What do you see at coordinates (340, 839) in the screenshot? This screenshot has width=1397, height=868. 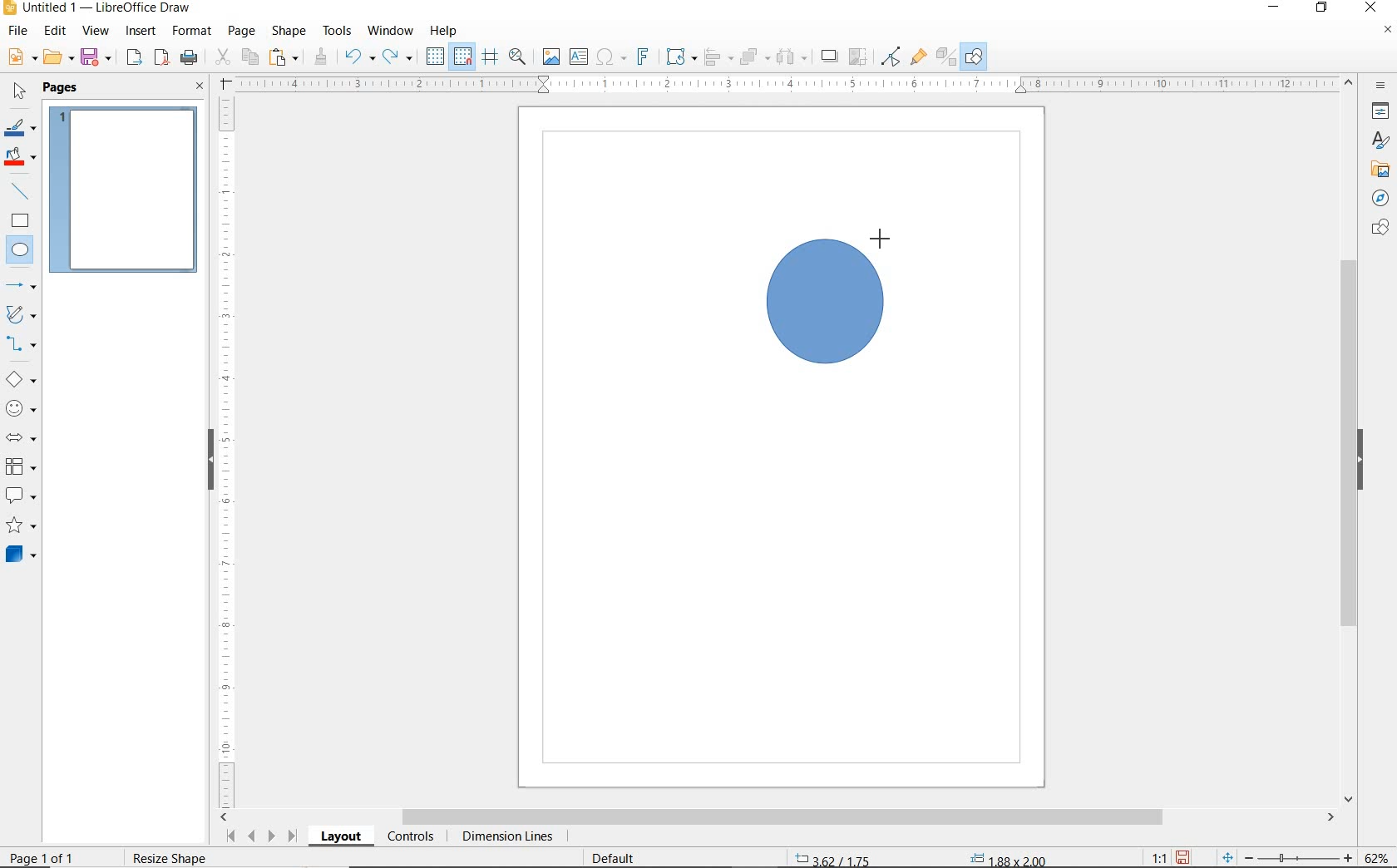 I see `LAYOUT` at bounding box center [340, 839].